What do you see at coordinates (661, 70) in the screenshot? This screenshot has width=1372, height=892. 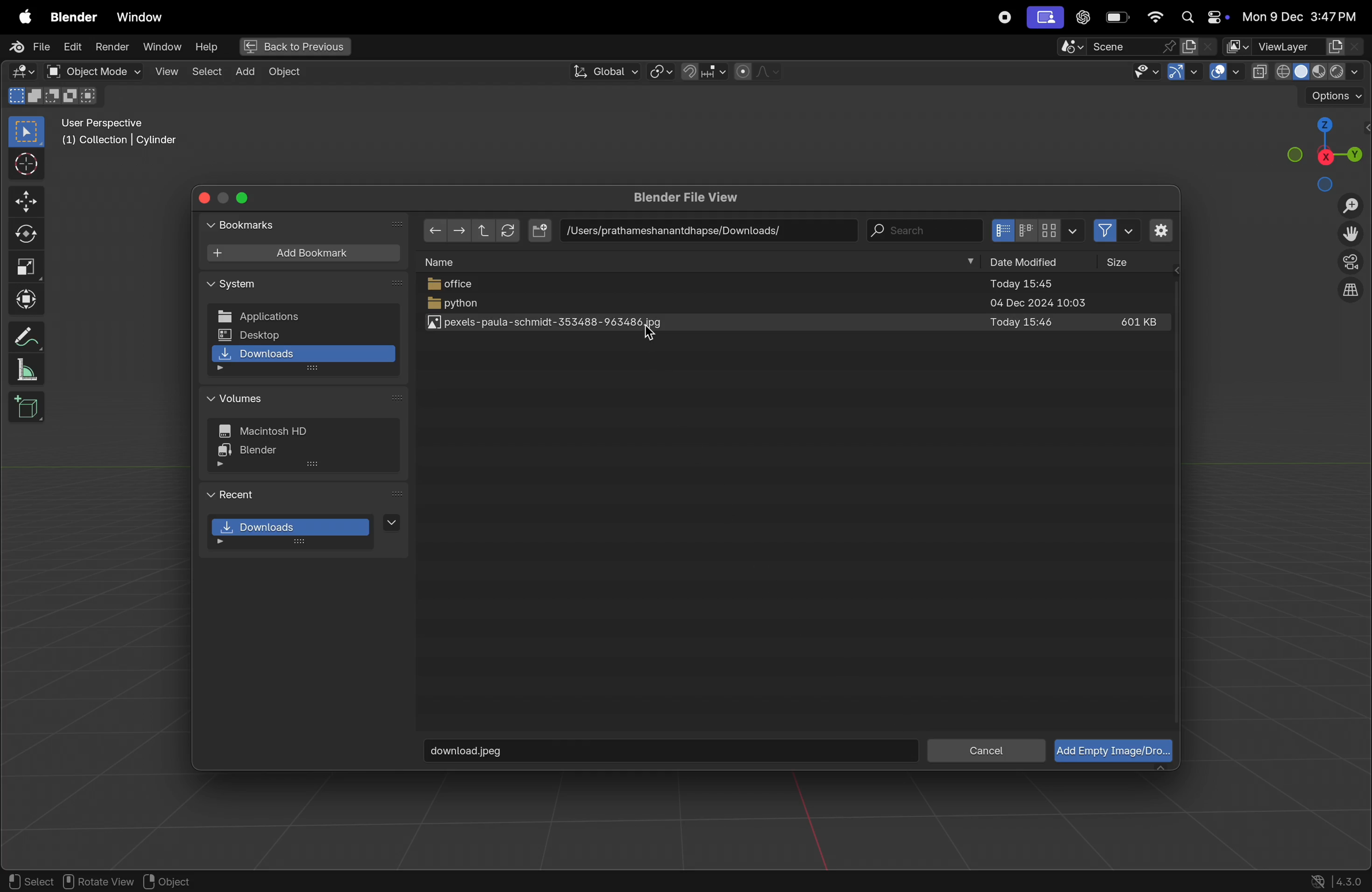 I see `turning of pviot point` at bounding box center [661, 70].